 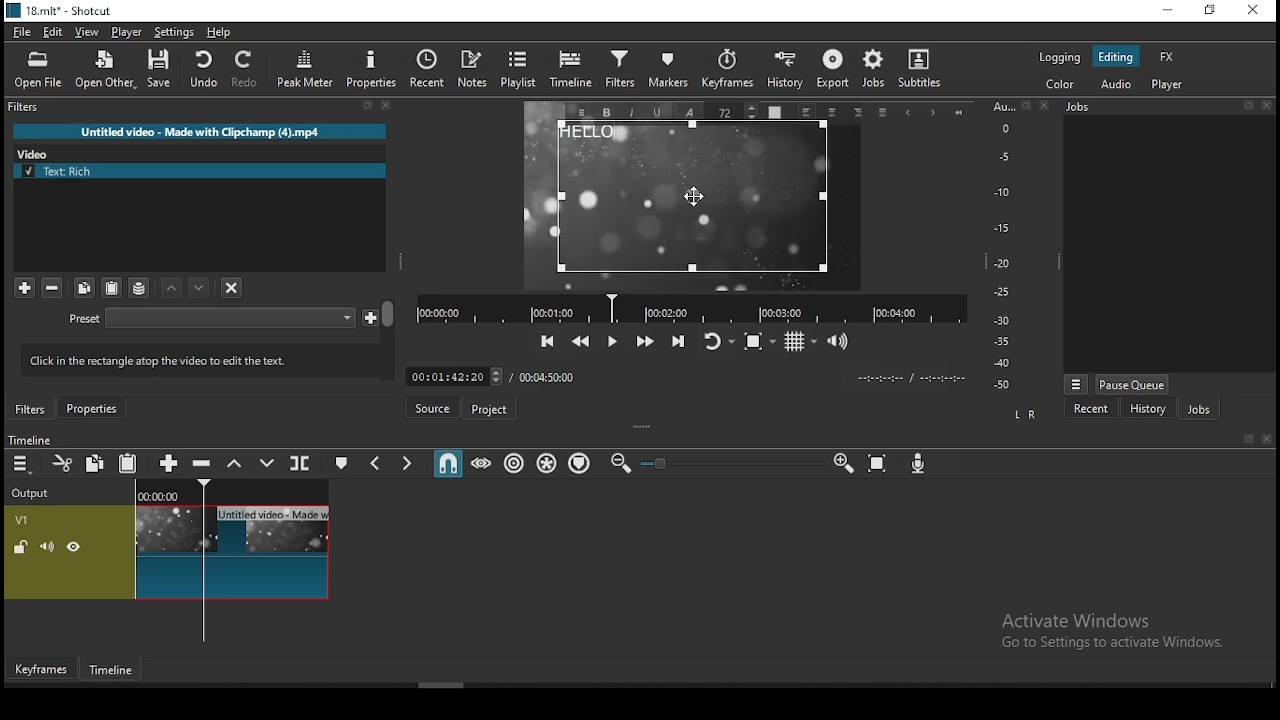 I want to click on ripple markers, so click(x=582, y=464).